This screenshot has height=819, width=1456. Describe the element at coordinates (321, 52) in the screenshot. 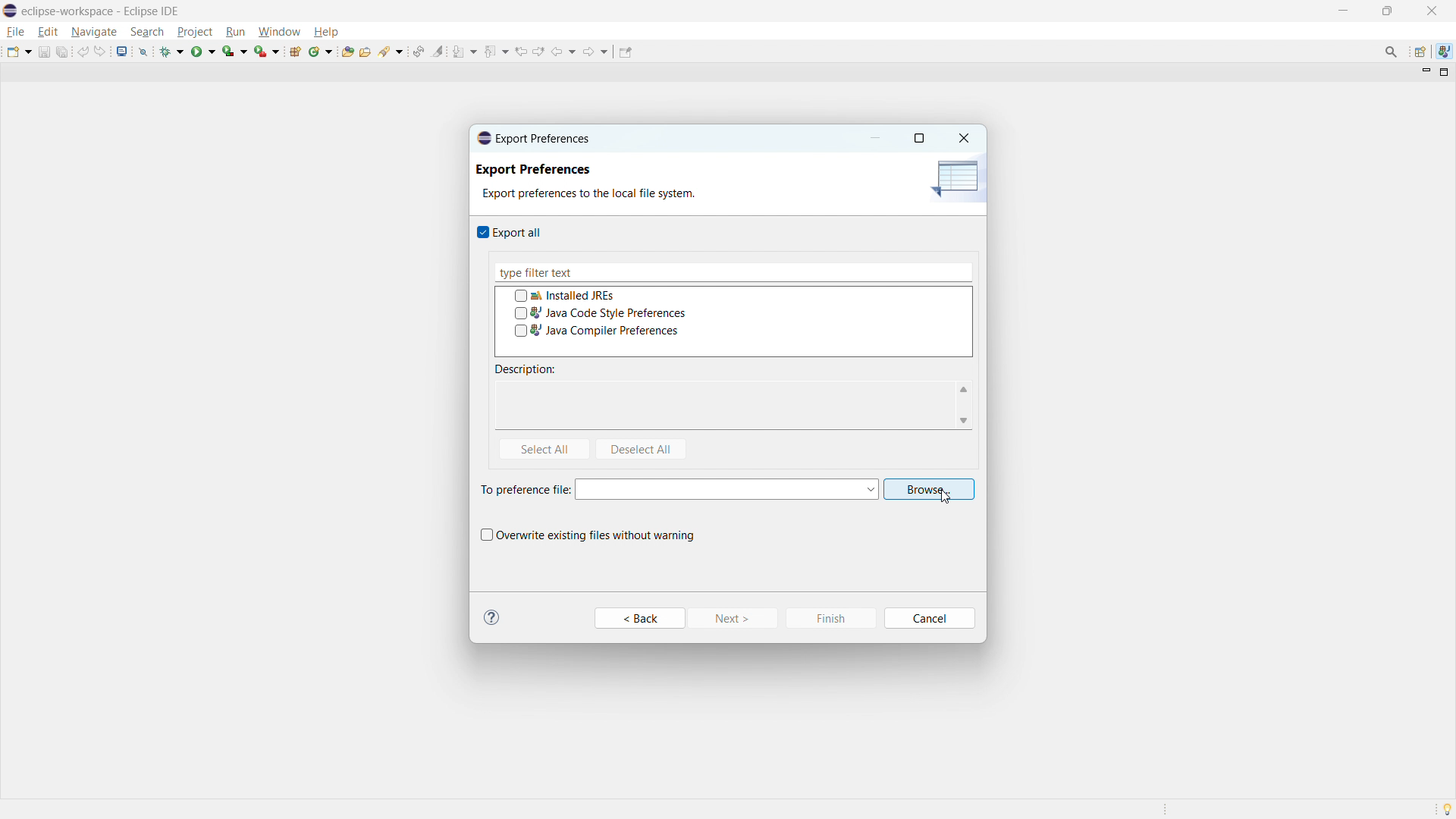

I see `new java class` at that location.